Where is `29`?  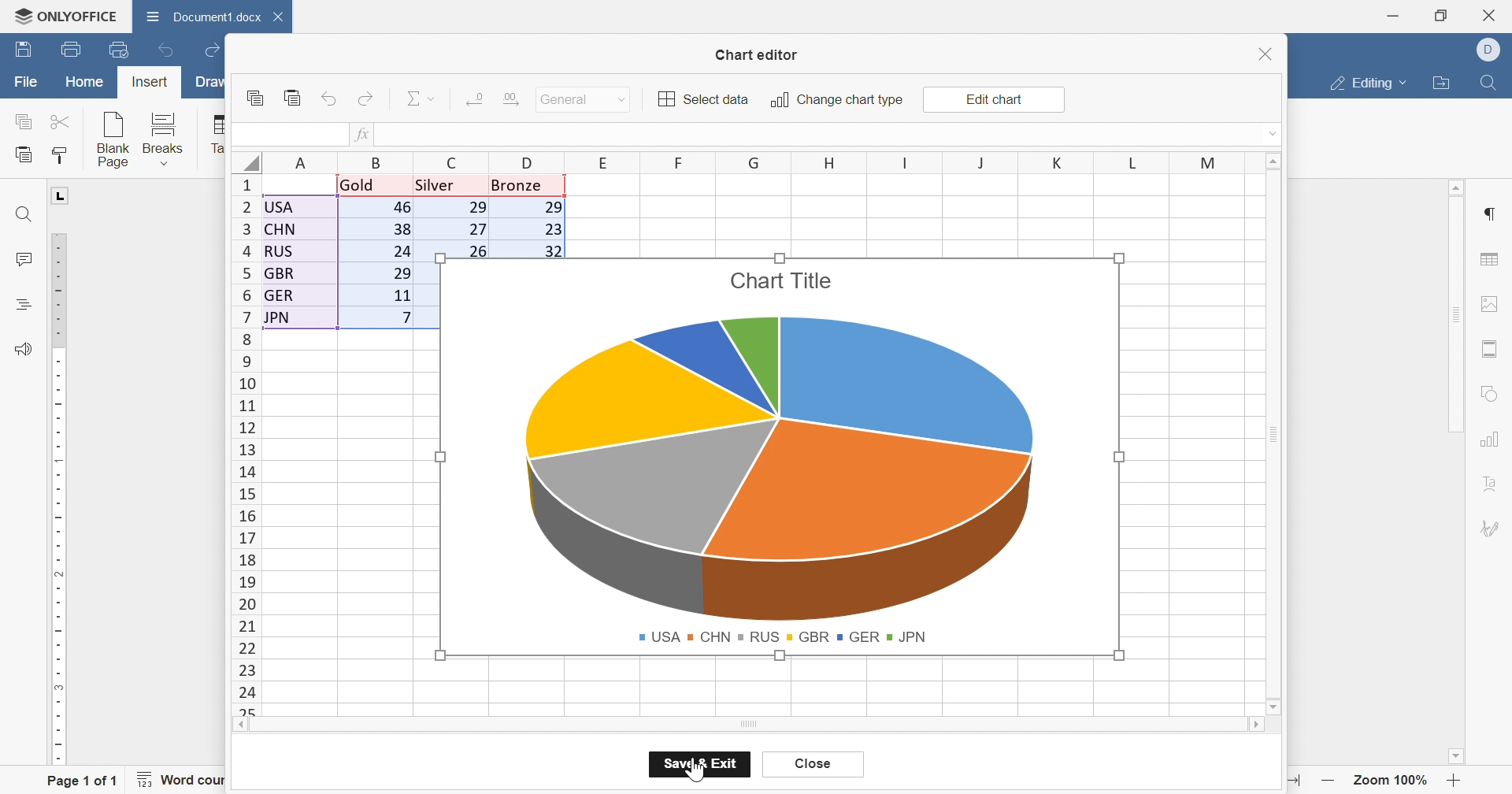 29 is located at coordinates (400, 274).